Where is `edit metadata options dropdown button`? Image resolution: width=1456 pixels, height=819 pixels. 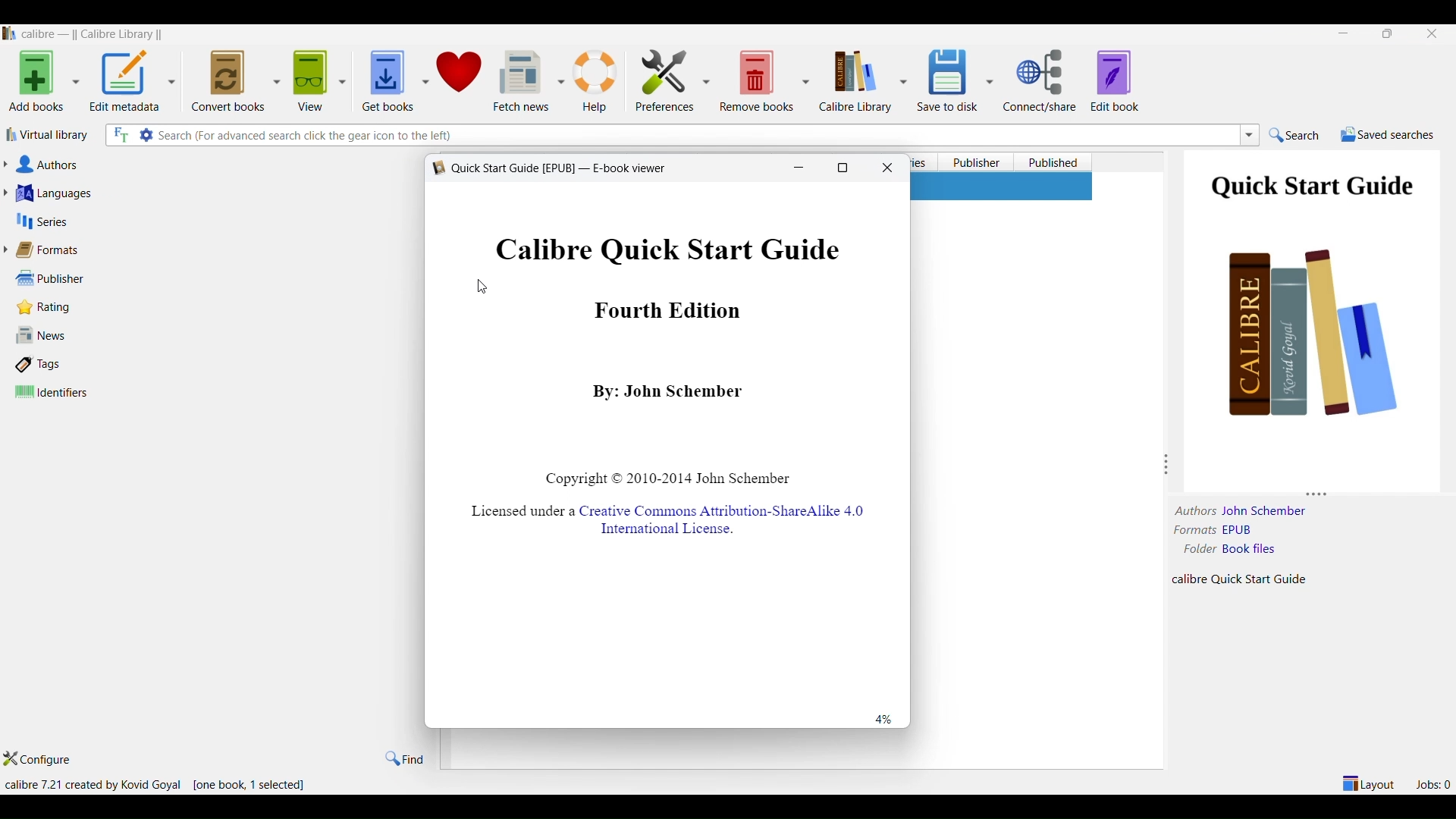
edit metadata options dropdown button is located at coordinates (174, 80).